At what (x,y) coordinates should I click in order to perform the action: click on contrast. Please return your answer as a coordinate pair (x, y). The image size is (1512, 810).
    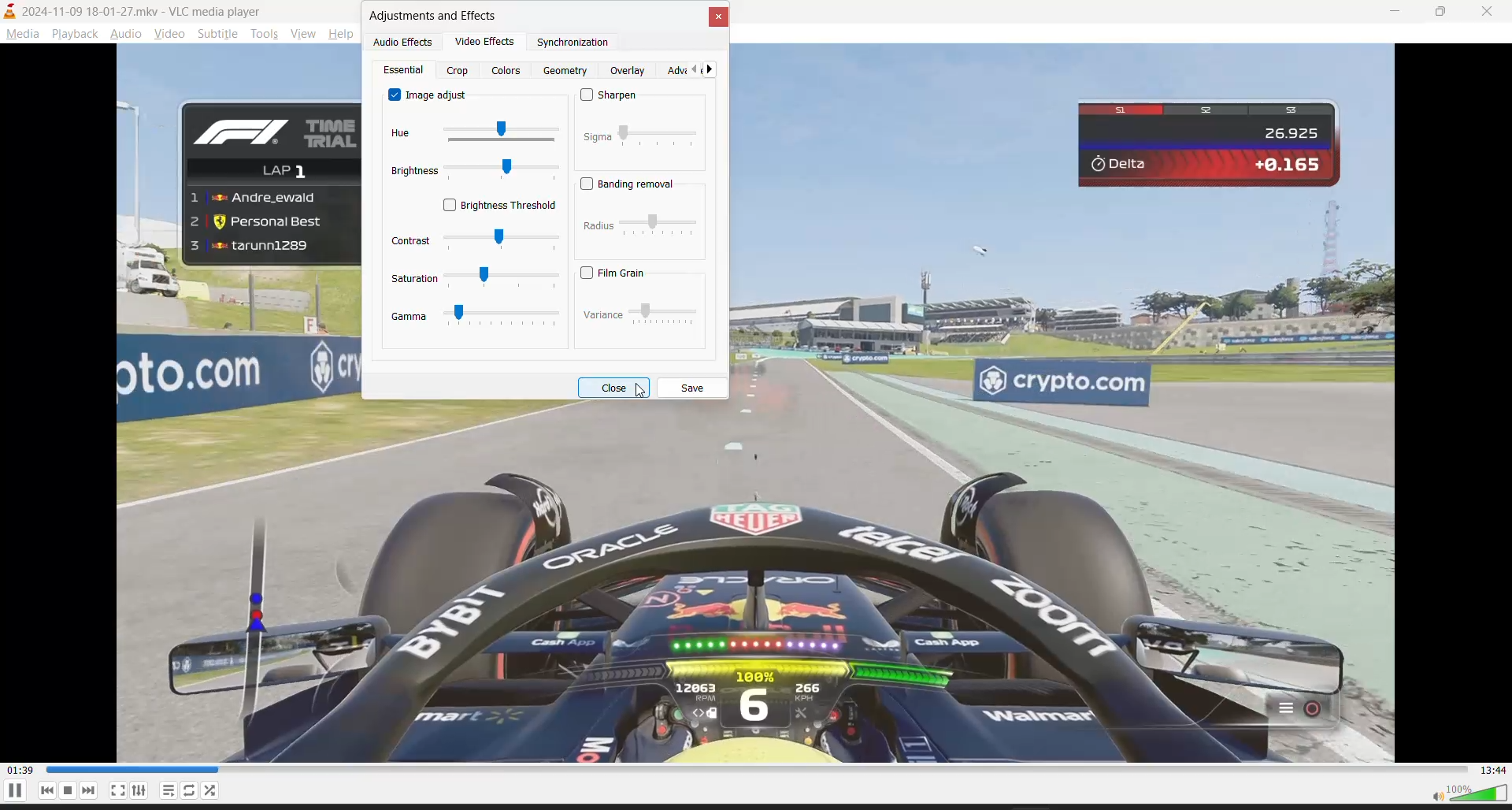
    Looking at the image, I should click on (475, 242).